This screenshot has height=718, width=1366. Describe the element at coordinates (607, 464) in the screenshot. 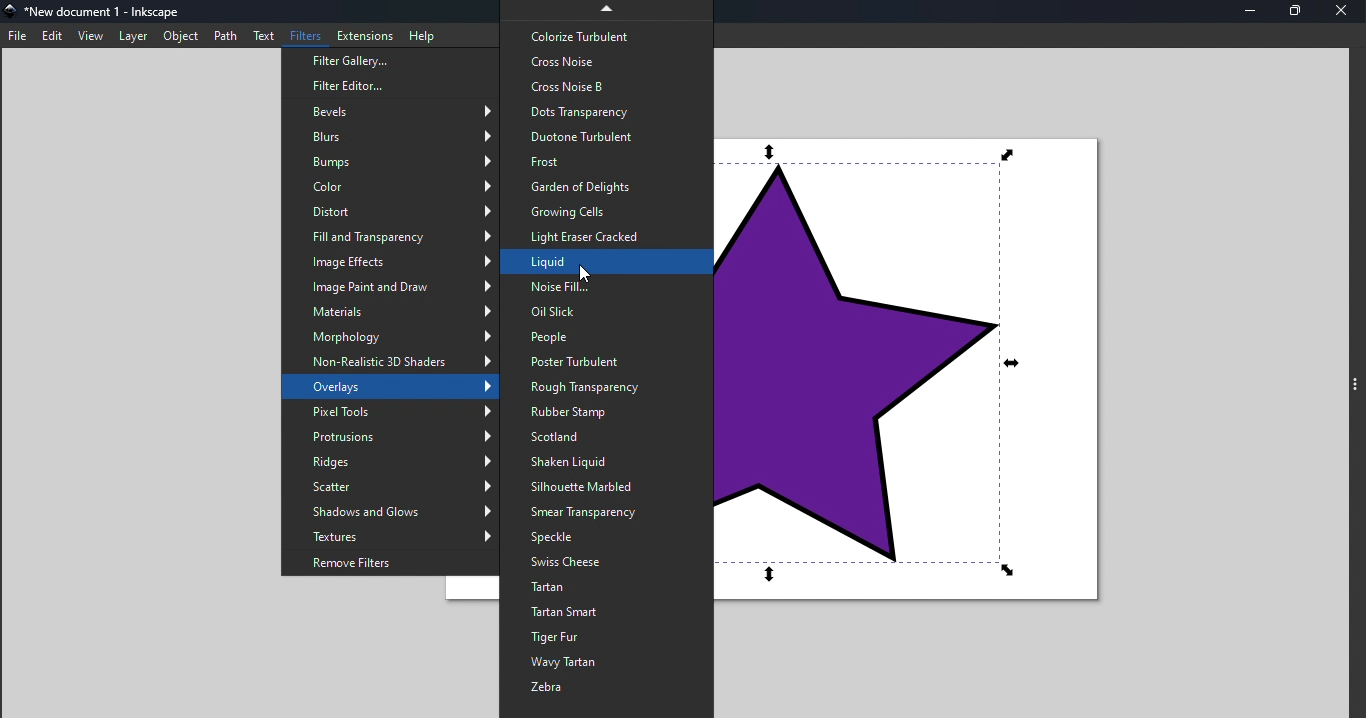

I see `Shaken liquid` at that location.